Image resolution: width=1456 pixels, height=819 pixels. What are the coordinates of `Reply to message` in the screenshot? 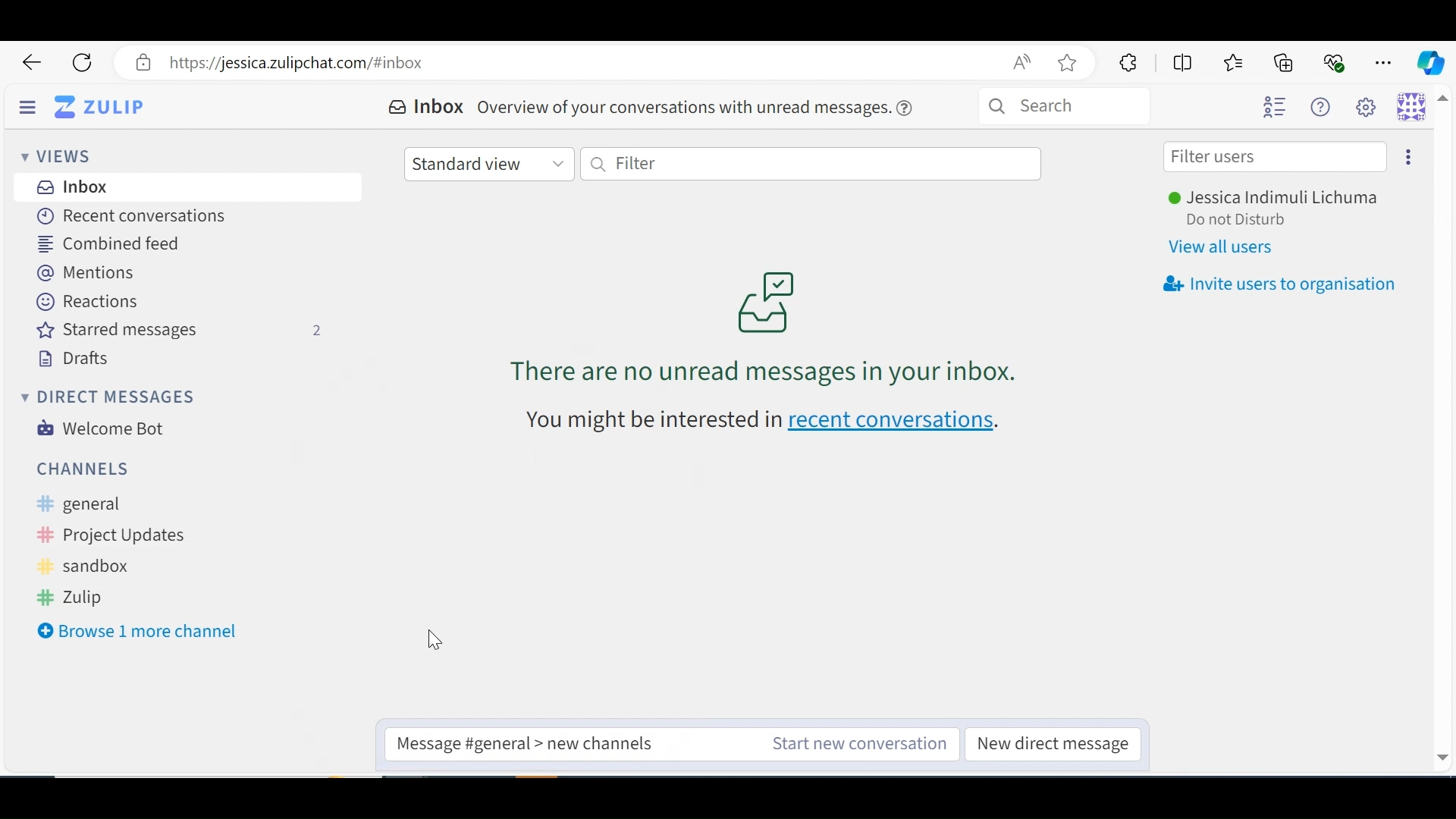 It's located at (529, 742).